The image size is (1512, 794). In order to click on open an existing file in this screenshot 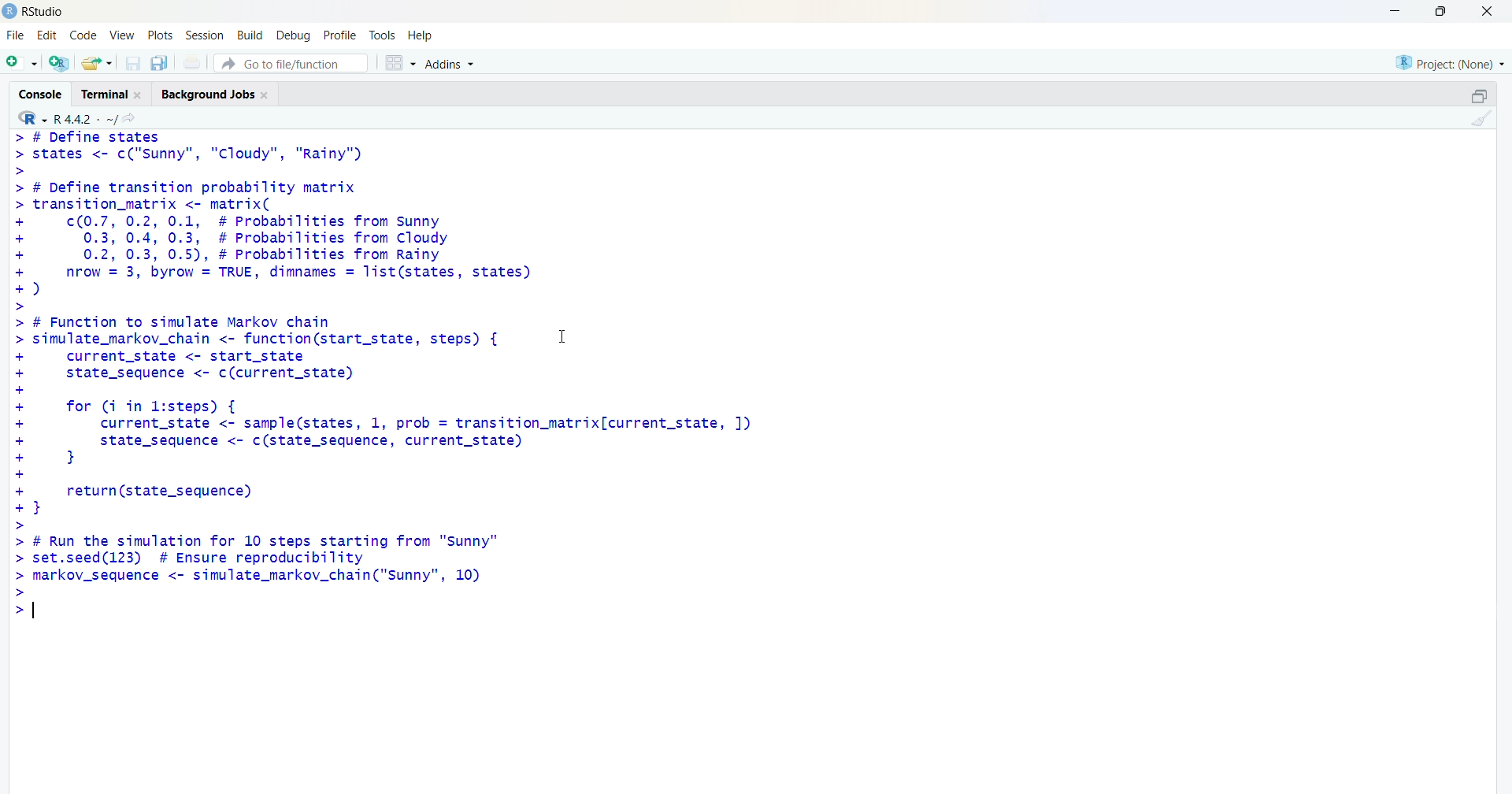, I will do `click(97, 62)`.